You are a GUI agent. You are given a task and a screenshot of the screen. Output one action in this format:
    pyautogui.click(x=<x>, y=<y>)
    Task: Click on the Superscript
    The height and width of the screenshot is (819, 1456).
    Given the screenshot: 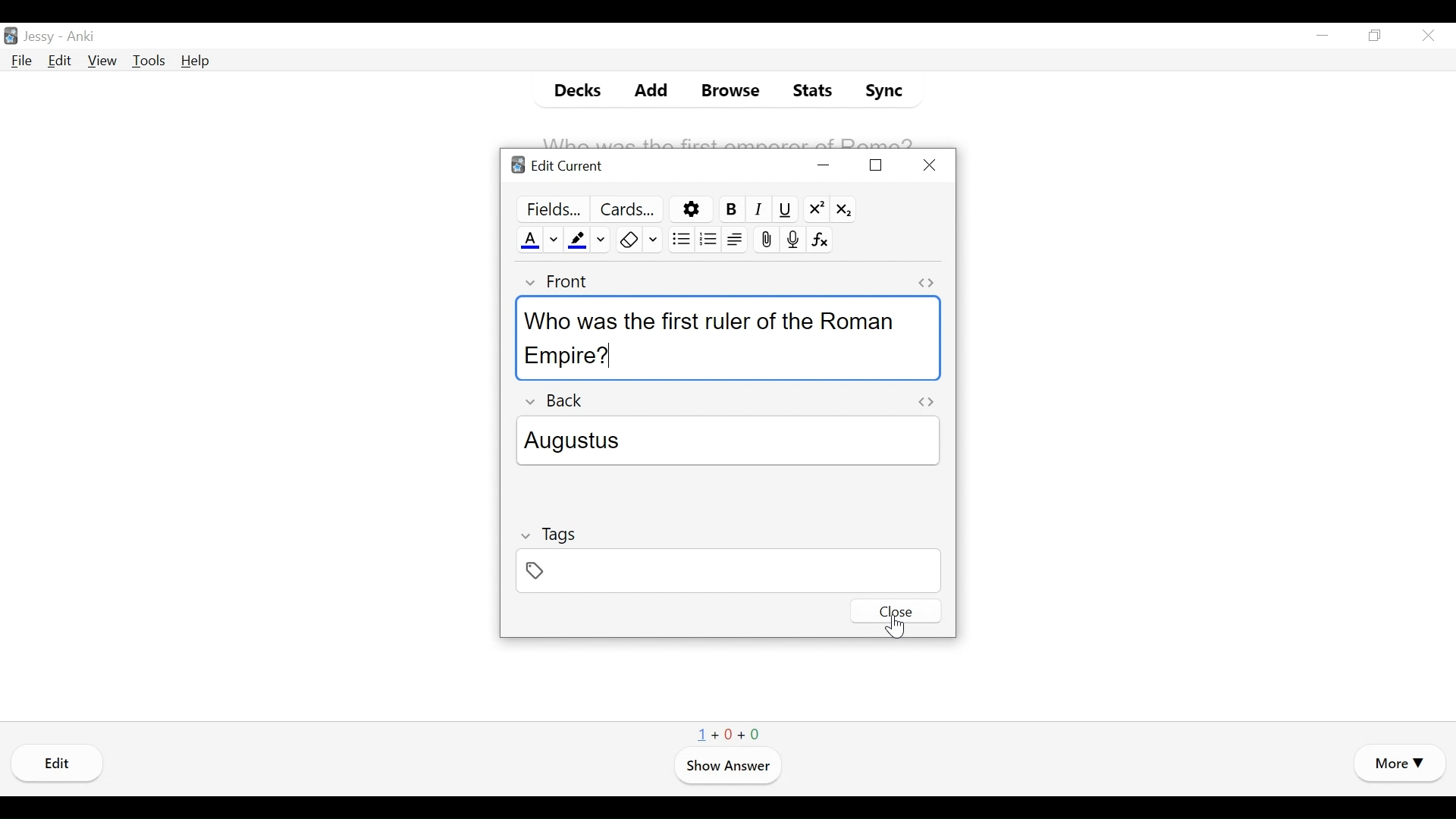 What is the action you would take?
    pyautogui.click(x=816, y=209)
    